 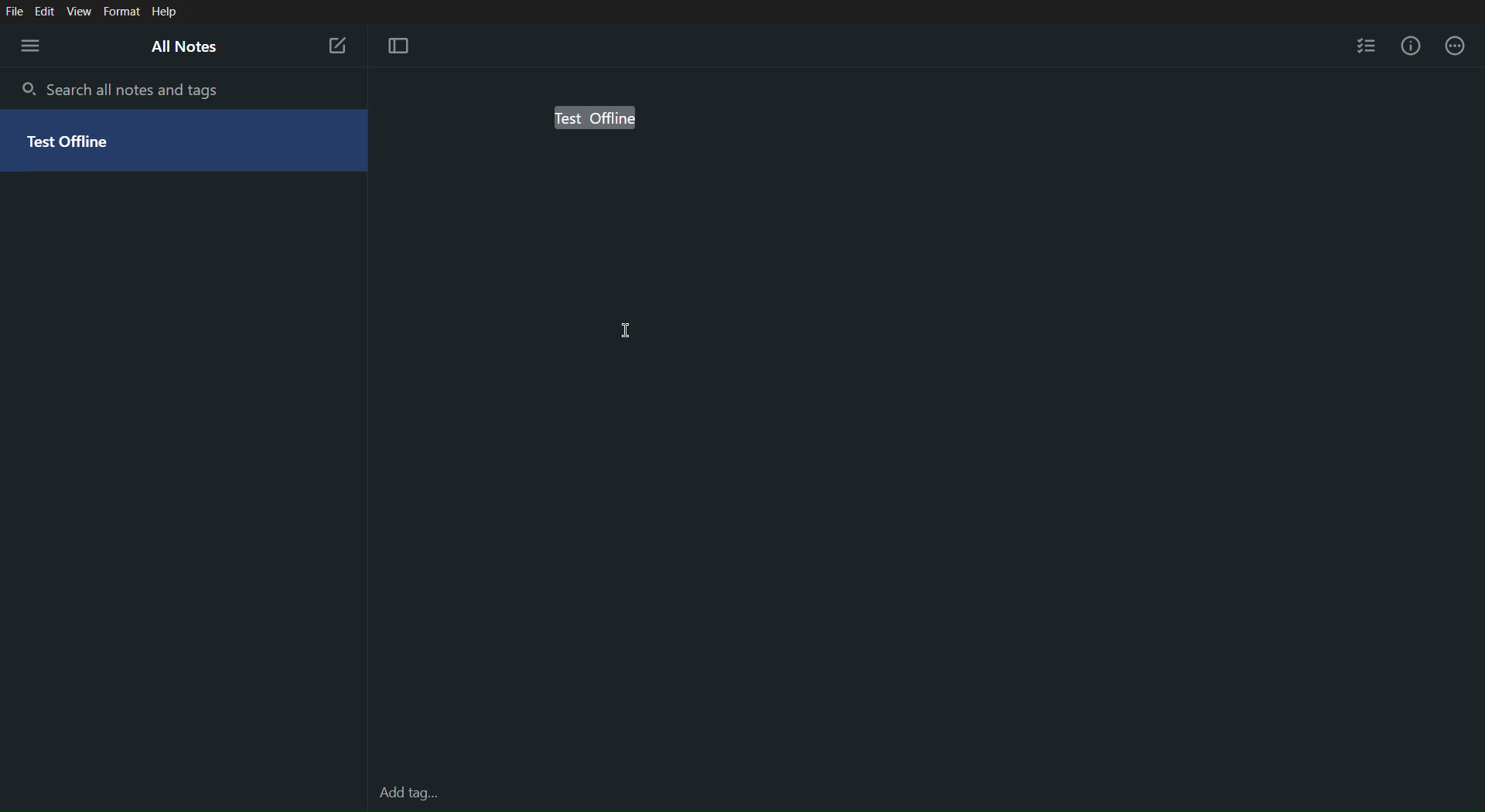 What do you see at coordinates (1367, 48) in the screenshot?
I see `Checklist` at bounding box center [1367, 48].